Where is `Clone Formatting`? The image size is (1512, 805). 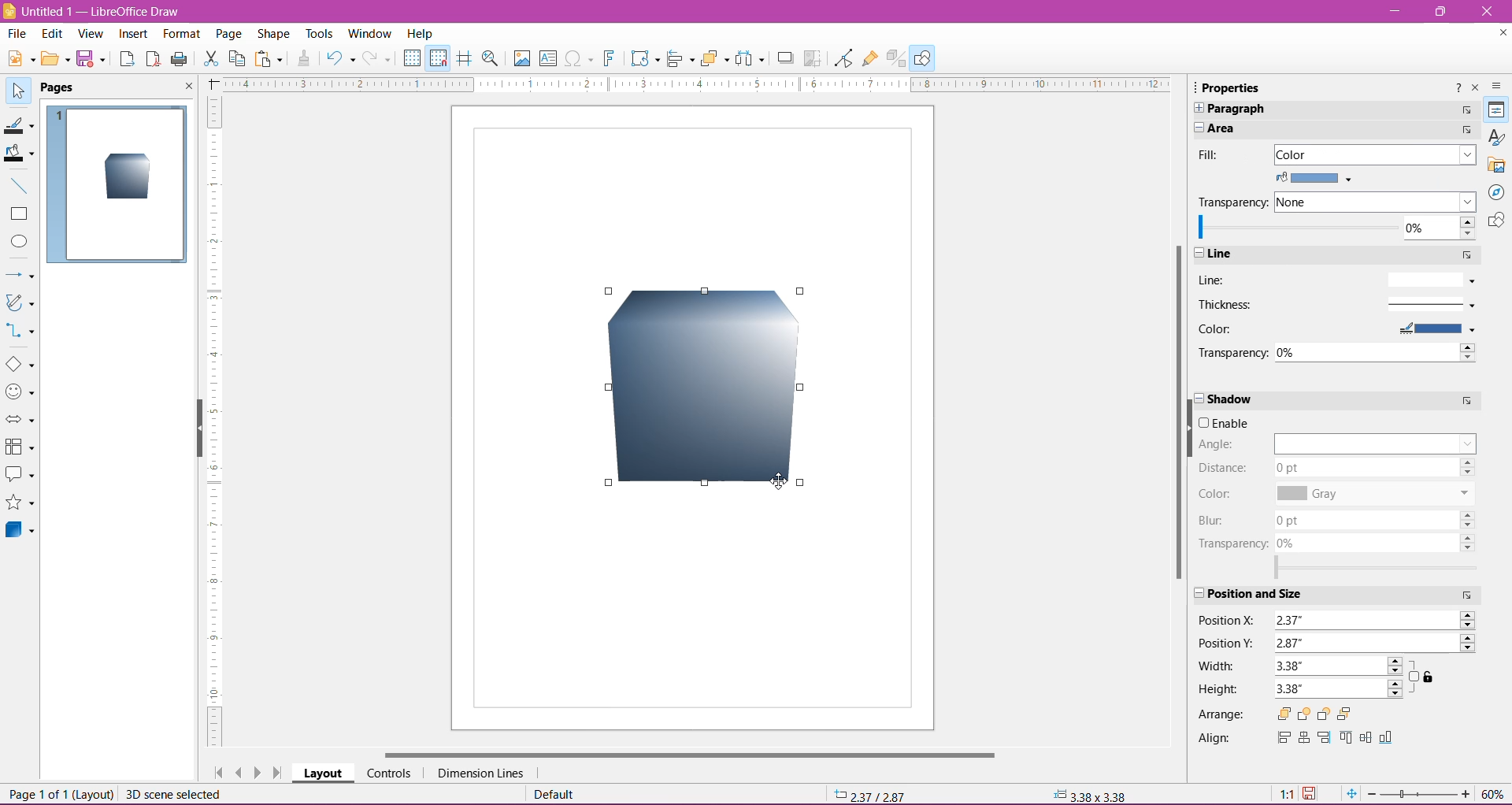 Clone Formatting is located at coordinates (305, 59).